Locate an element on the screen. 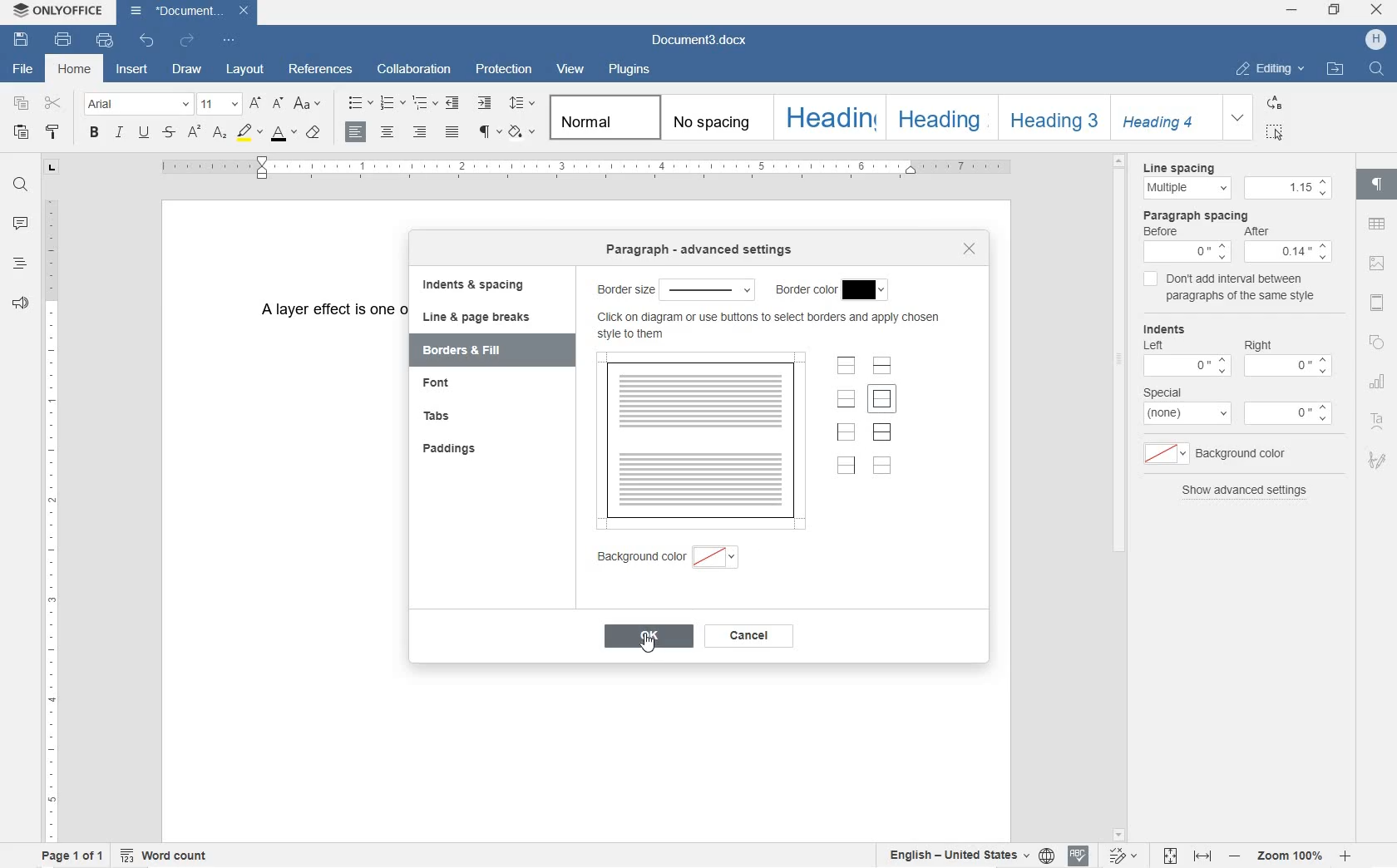 The width and height of the screenshot is (1397, 868). FONT COLOR is located at coordinates (285, 133).